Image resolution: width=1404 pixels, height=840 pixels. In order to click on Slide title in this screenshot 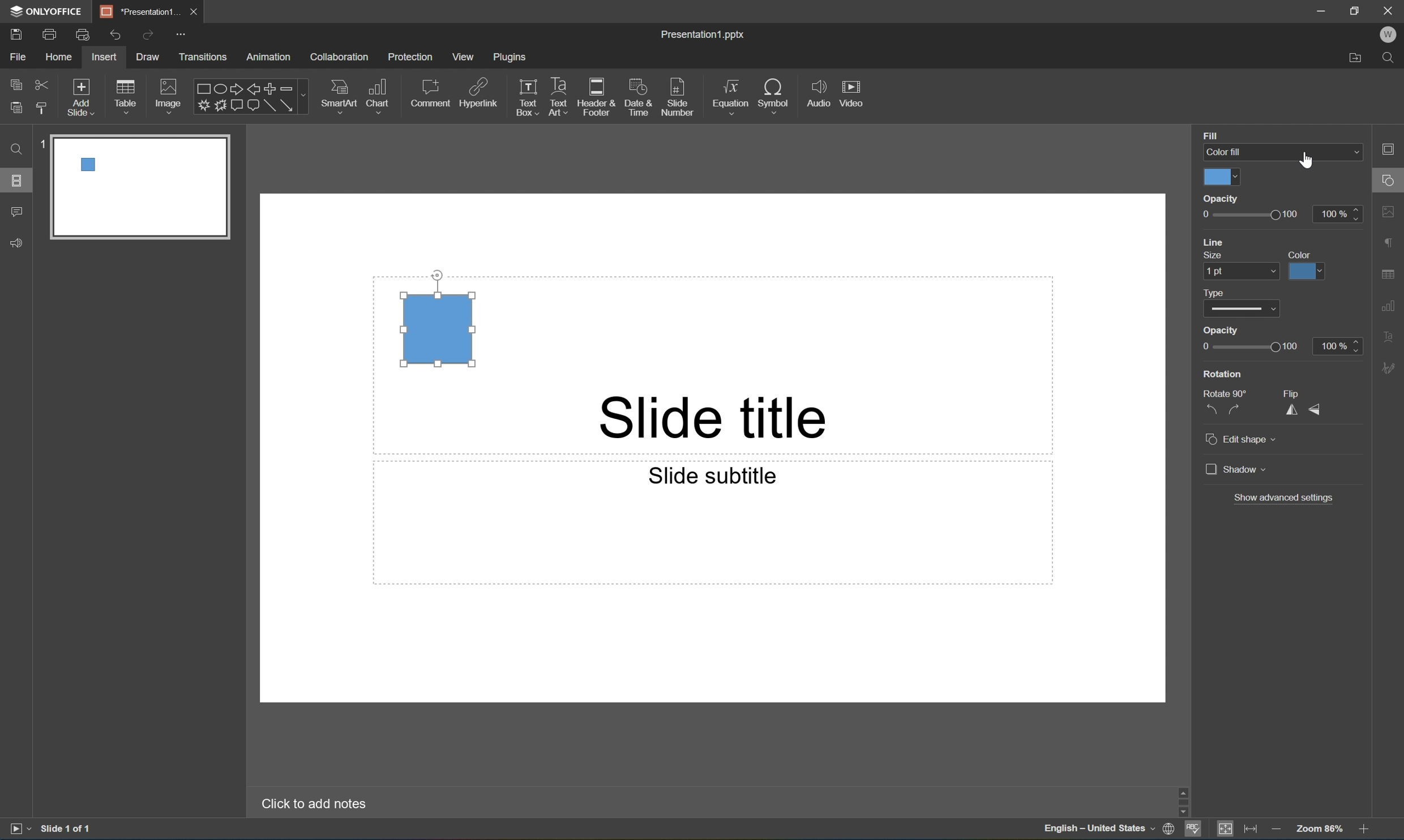, I will do `click(733, 419)`.